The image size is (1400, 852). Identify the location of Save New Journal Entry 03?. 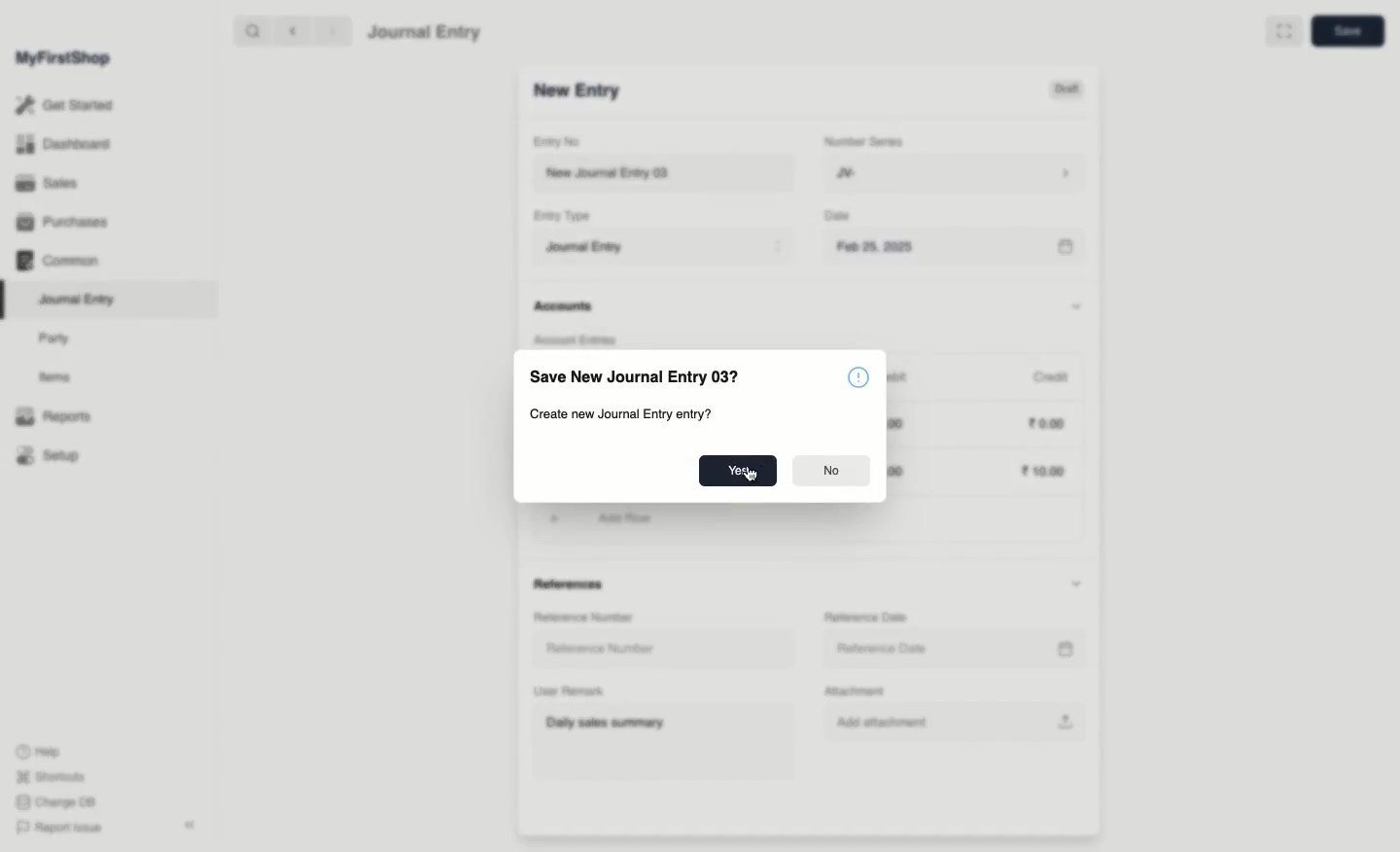
(634, 377).